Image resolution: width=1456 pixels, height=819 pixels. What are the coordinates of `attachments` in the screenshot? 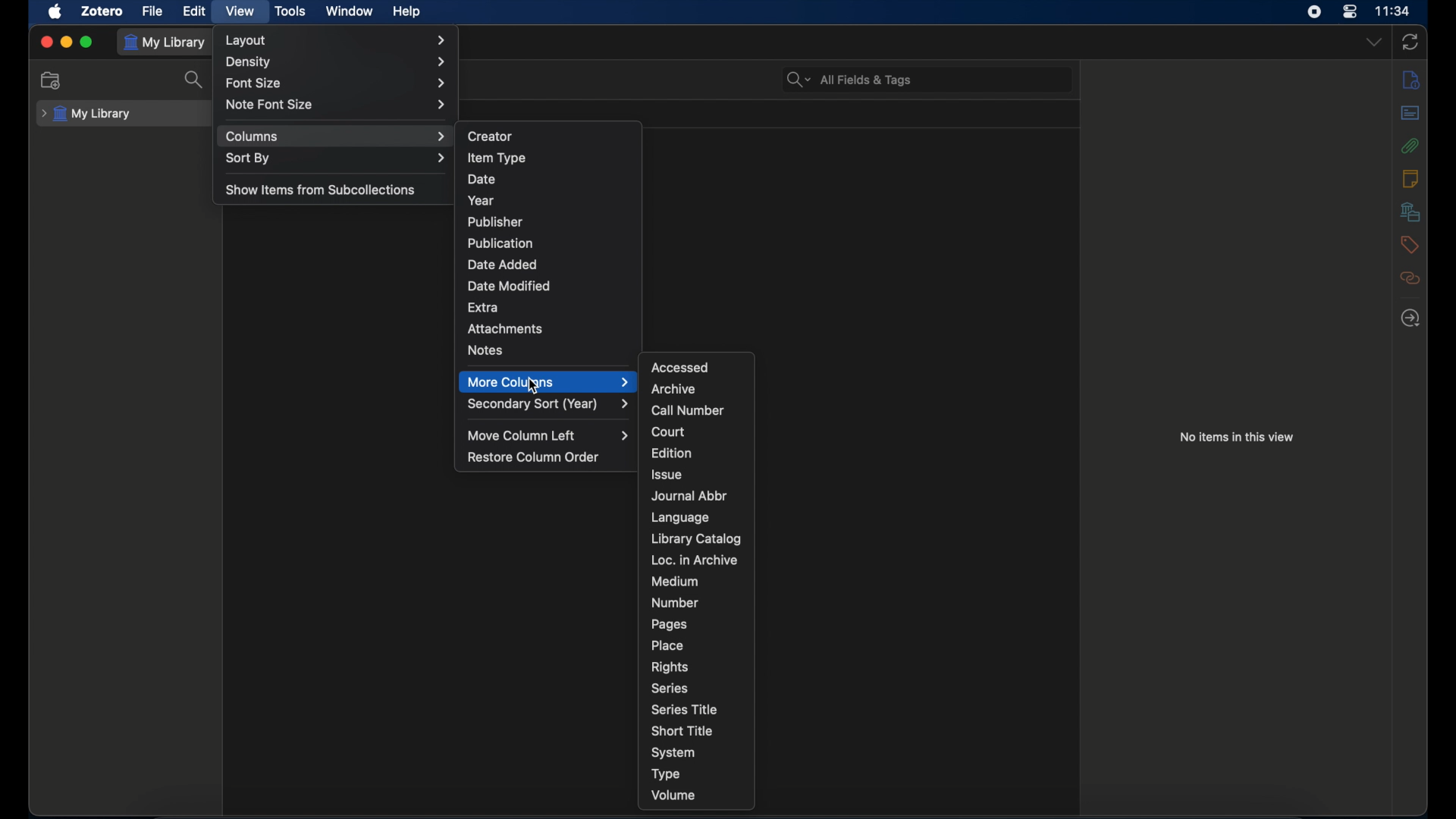 It's located at (504, 329).